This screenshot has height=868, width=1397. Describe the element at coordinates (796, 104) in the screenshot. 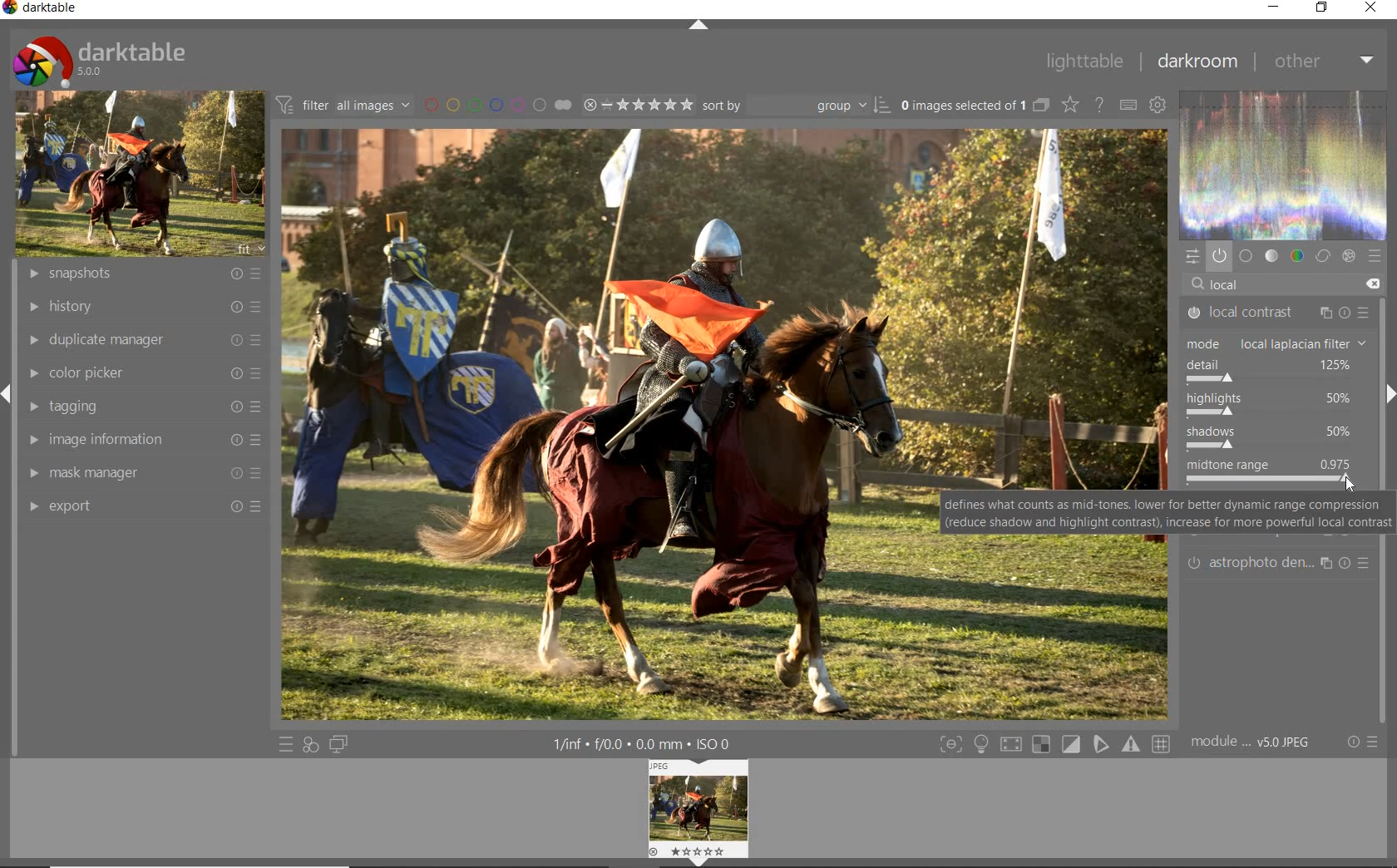

I see `Sort` at that location.